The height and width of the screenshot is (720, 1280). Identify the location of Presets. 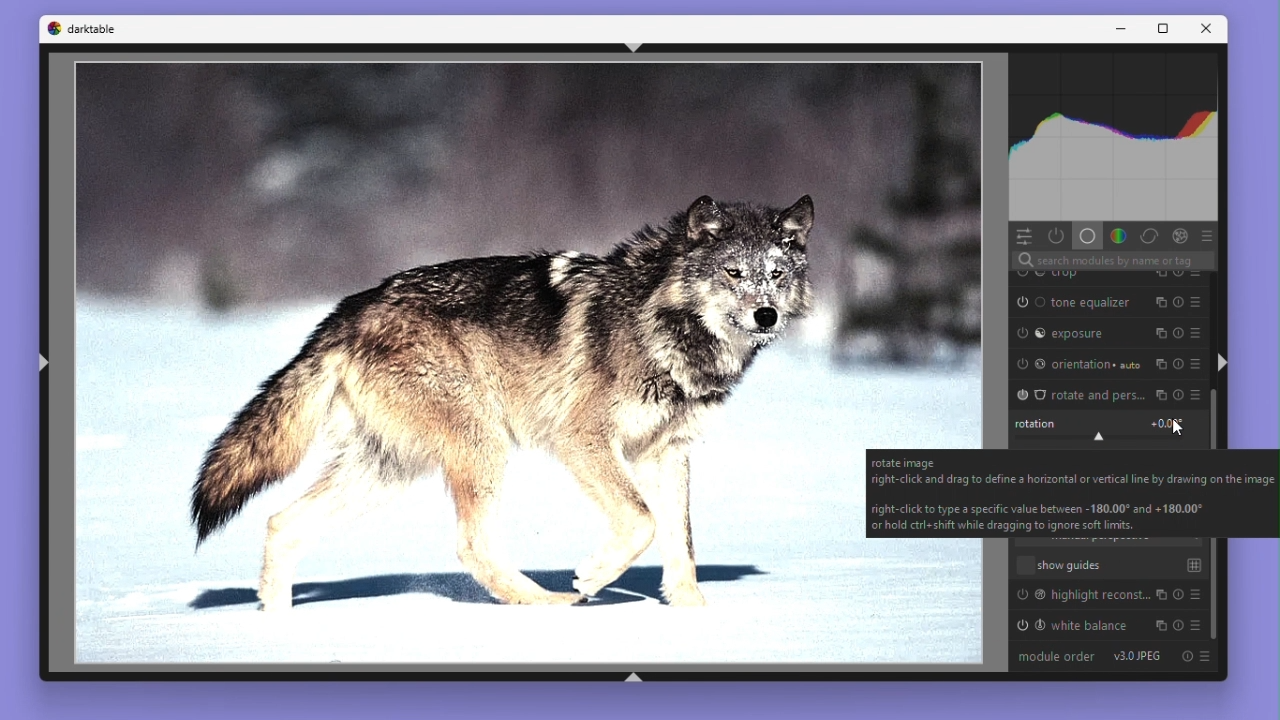
(1212, 235).